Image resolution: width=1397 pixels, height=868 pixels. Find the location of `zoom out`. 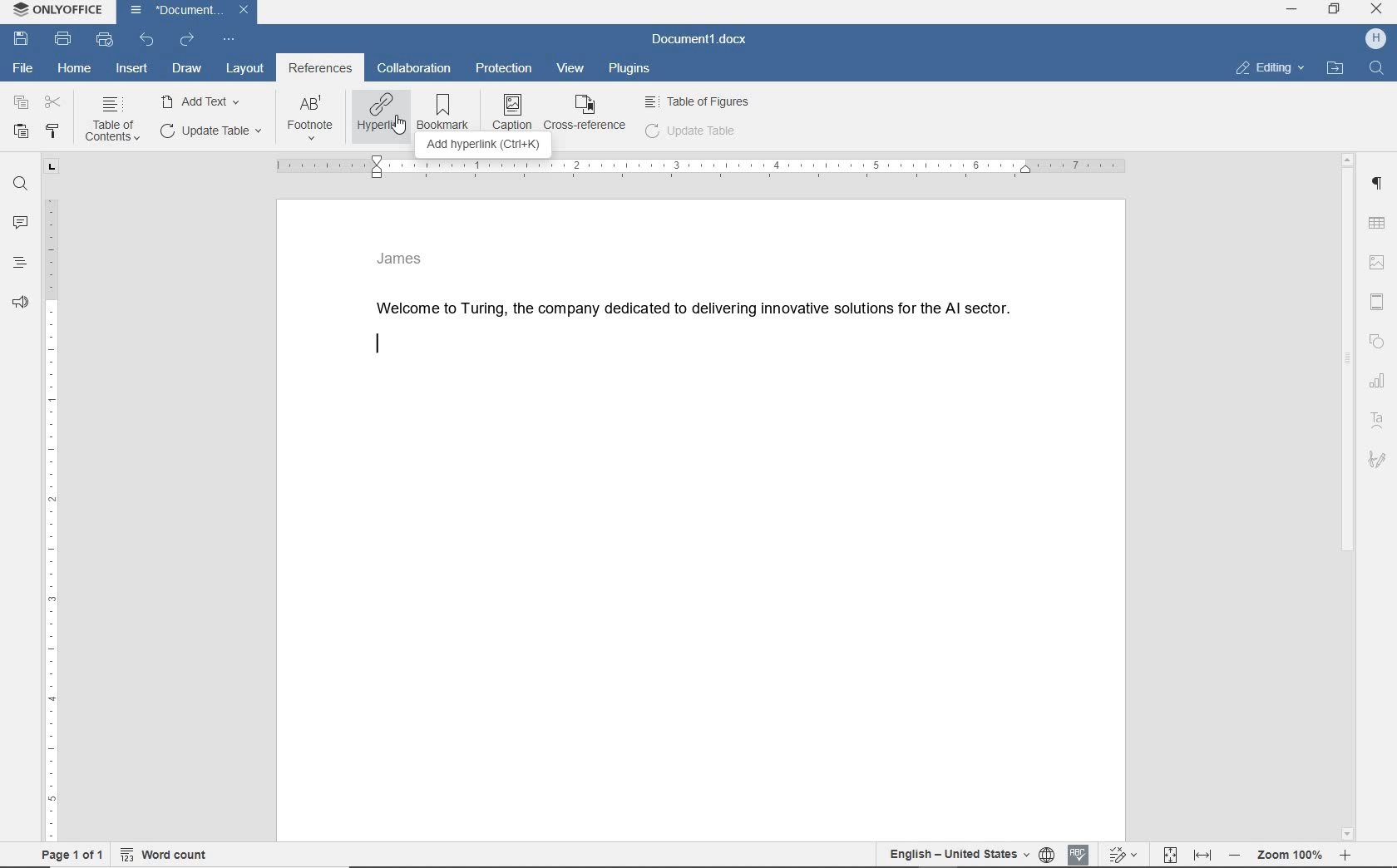

zoom out is located at coordinates (1238, 857).